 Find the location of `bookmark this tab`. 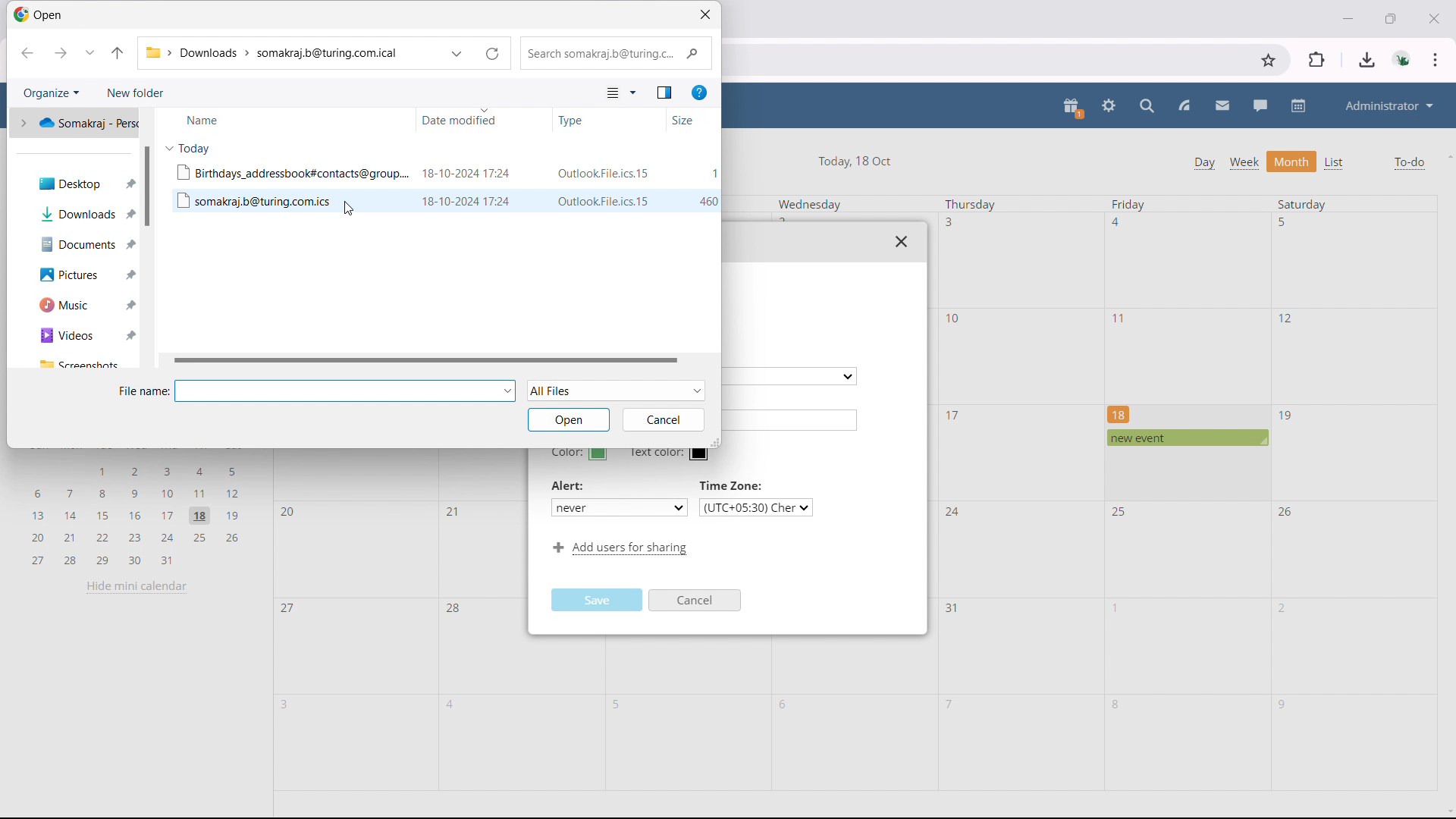

bookmark this tab is located at coordinates (1269, 61).